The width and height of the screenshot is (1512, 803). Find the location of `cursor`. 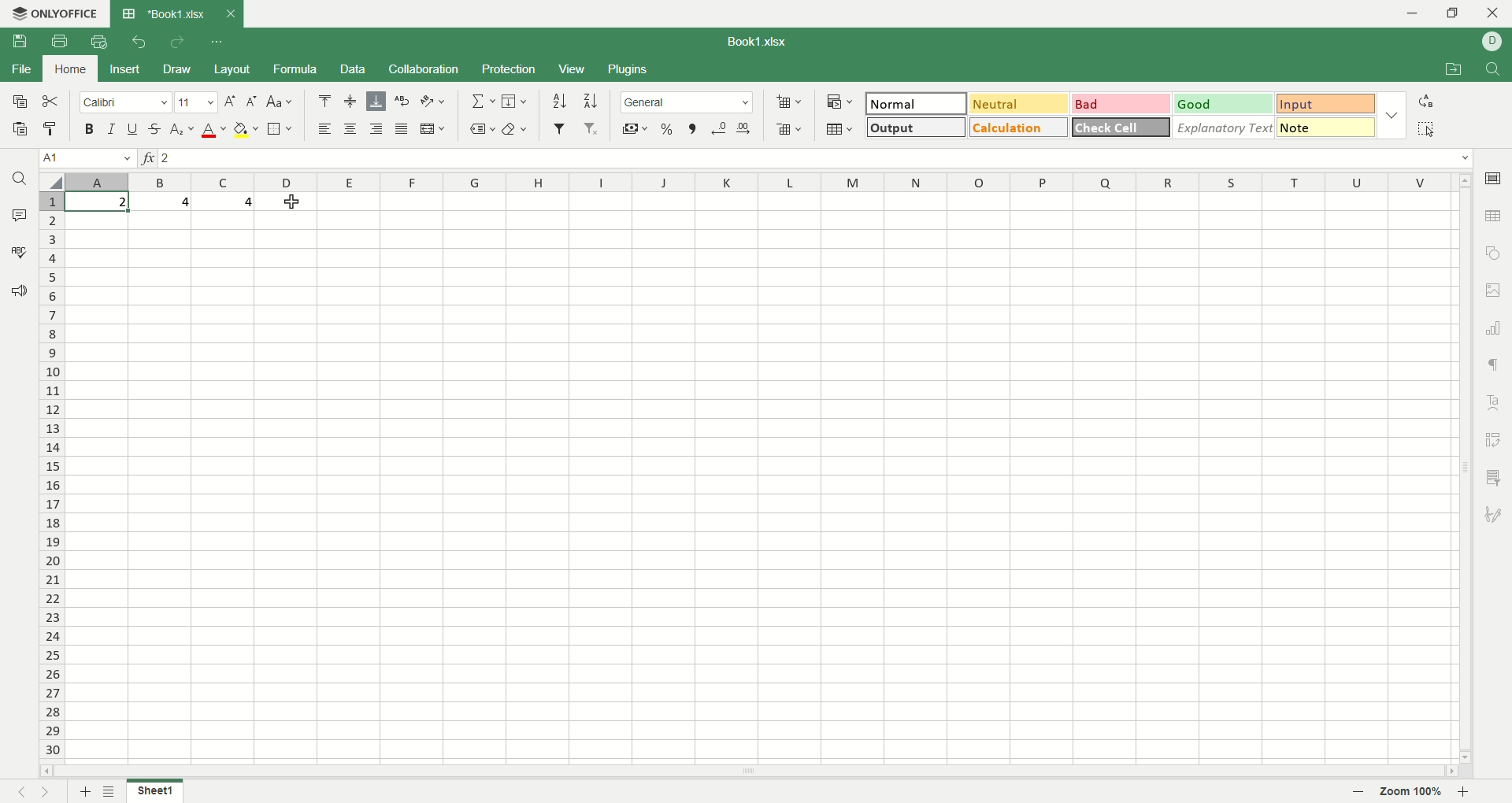

cursor is located at coordinates (292, 202).